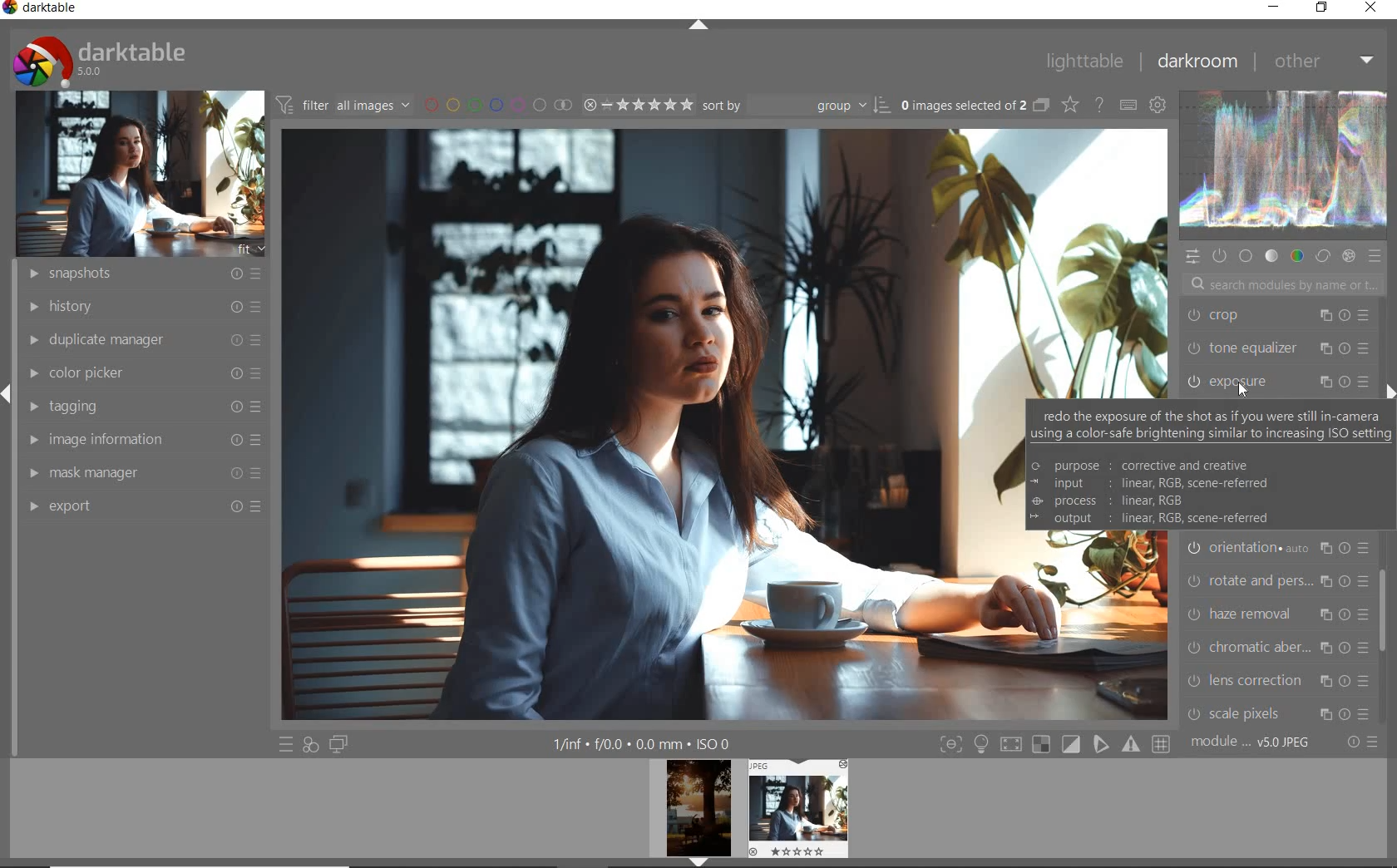 This screenshot has height=868, width=1397. What do you see at coordinates (960, 106) in the screenshot?
I see `SELECTED IMAGES` at bounding box center [960, 106].